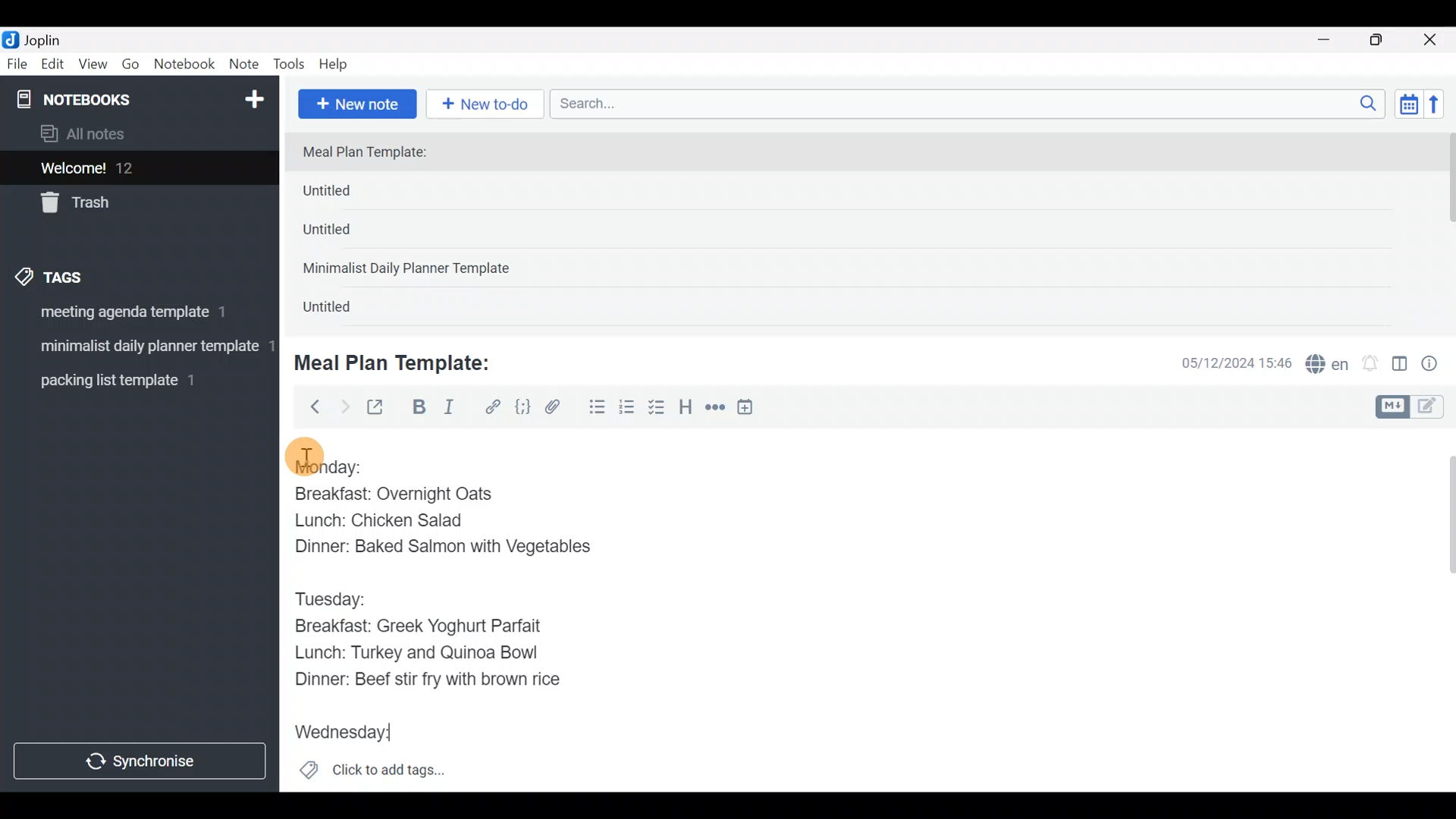  I want to click on Notebooks, so click(107, 99).